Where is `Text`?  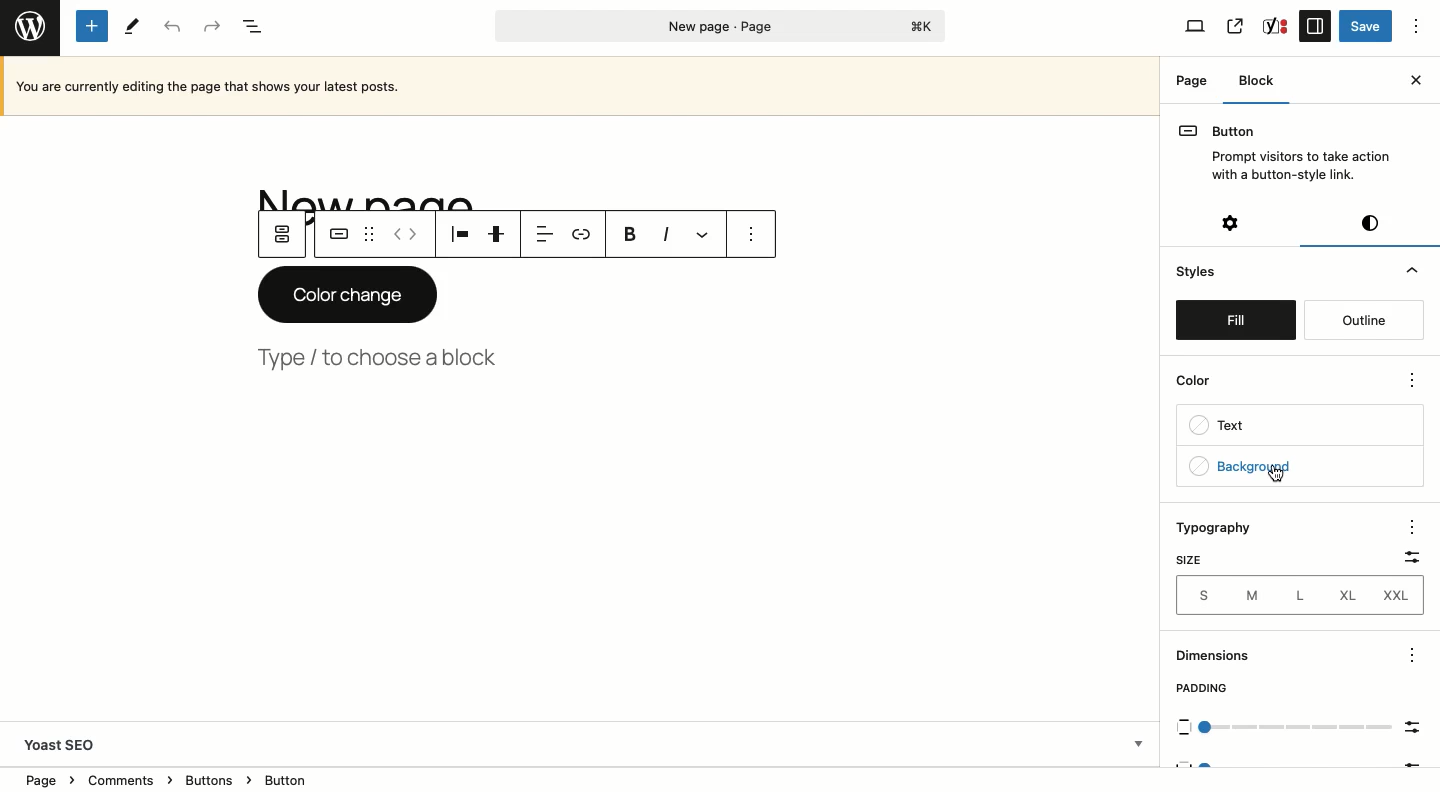
Text is located at coordinates (1306, 427).